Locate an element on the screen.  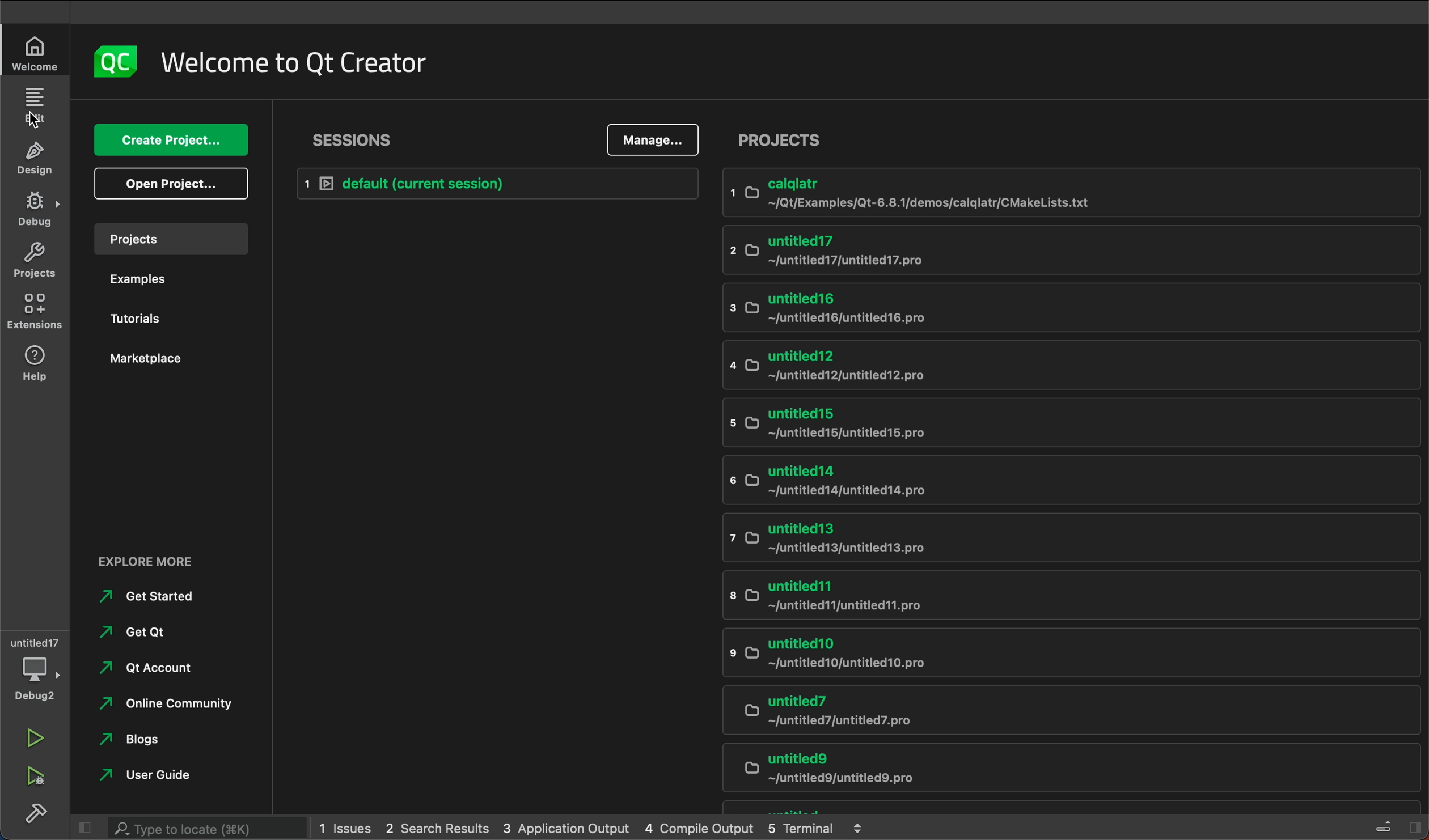
extensions is located at coordinates (38, 314).